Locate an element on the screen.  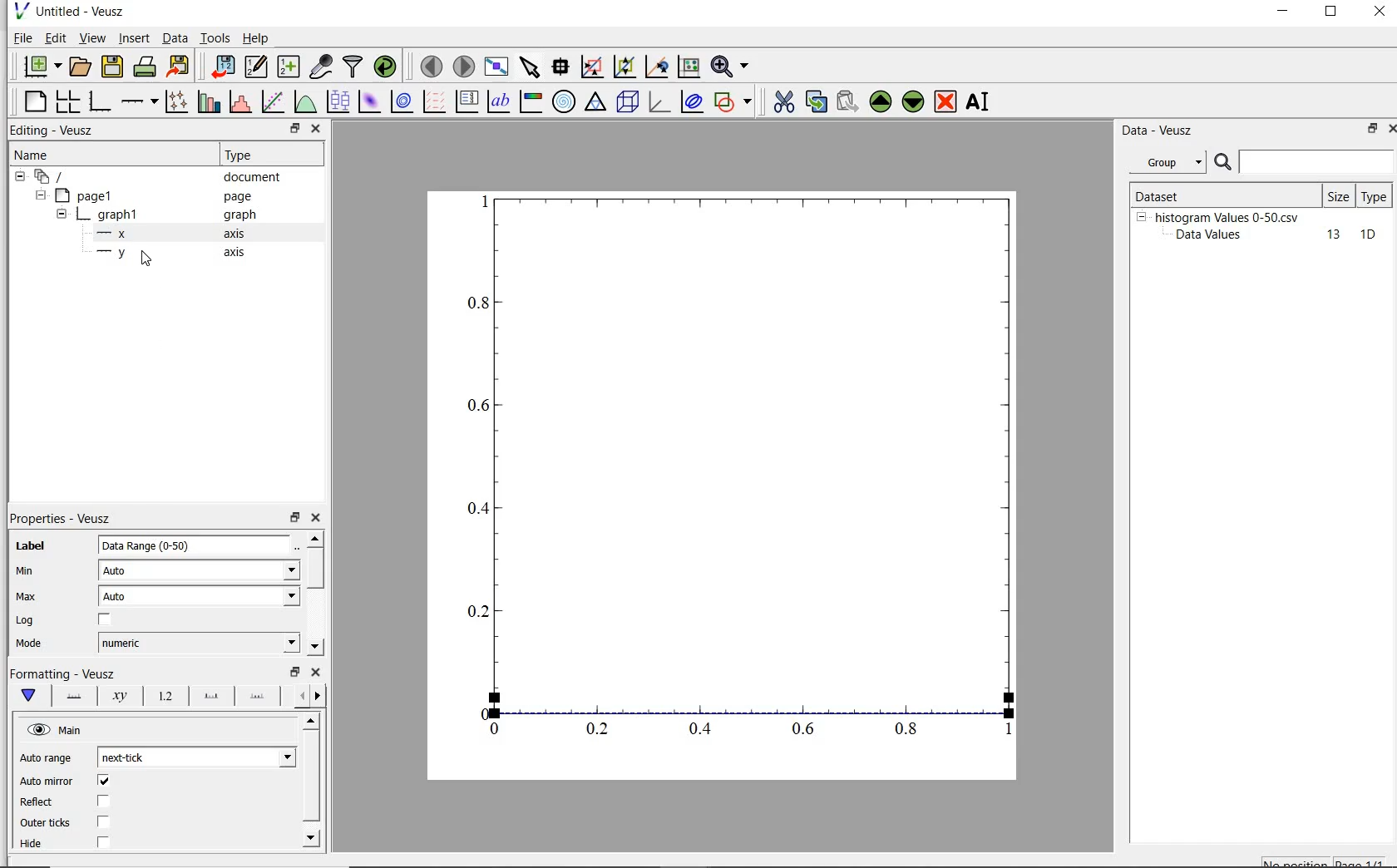
 is located at coordinates (241, 215).